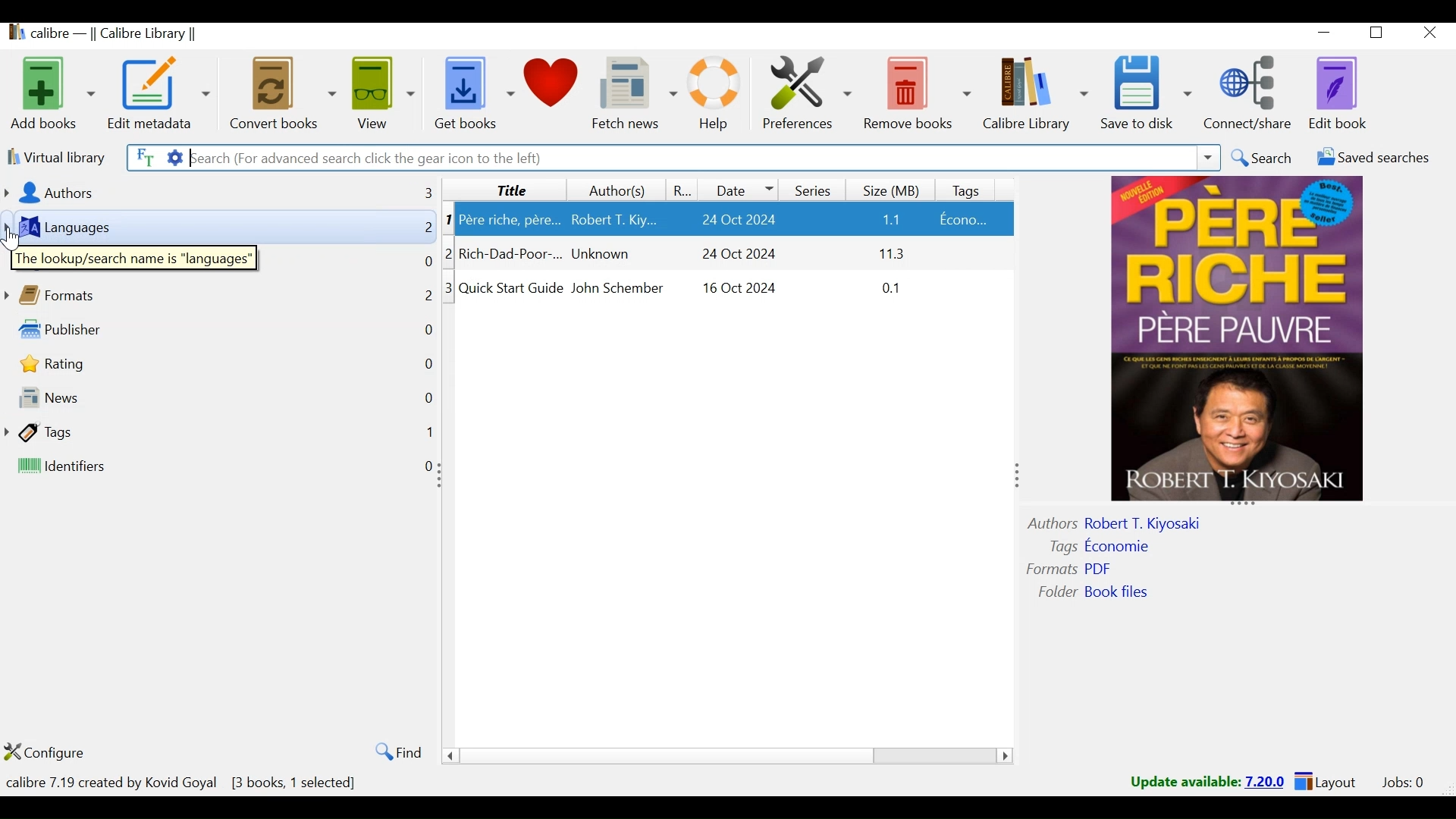  Describe the element at coordinates (89, 362) in the screenshot. I see `Rating` at that location.